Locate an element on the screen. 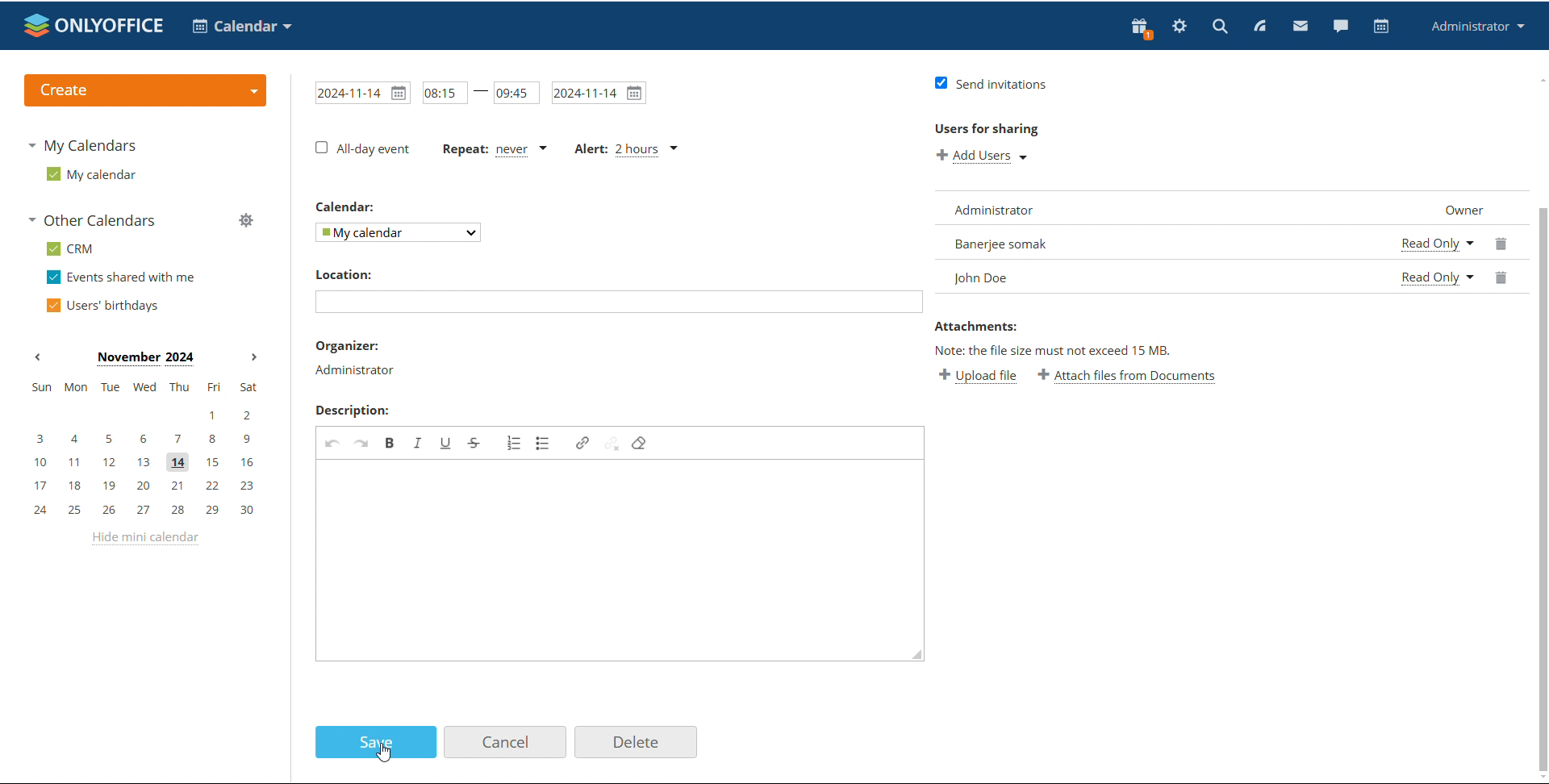  Designation of the user is located at coordinates (1456, 209).